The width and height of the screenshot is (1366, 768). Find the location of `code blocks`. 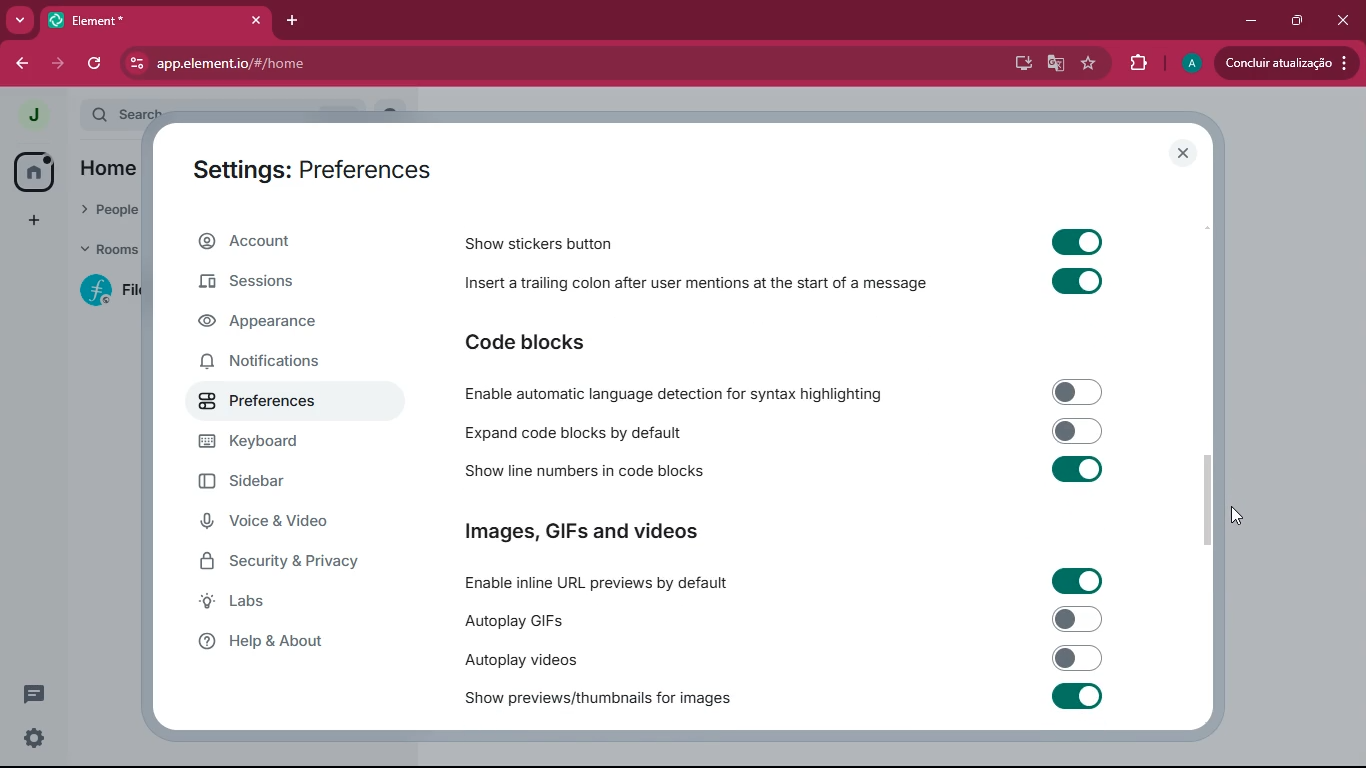

code blocks is located at coordinates (524, 342).